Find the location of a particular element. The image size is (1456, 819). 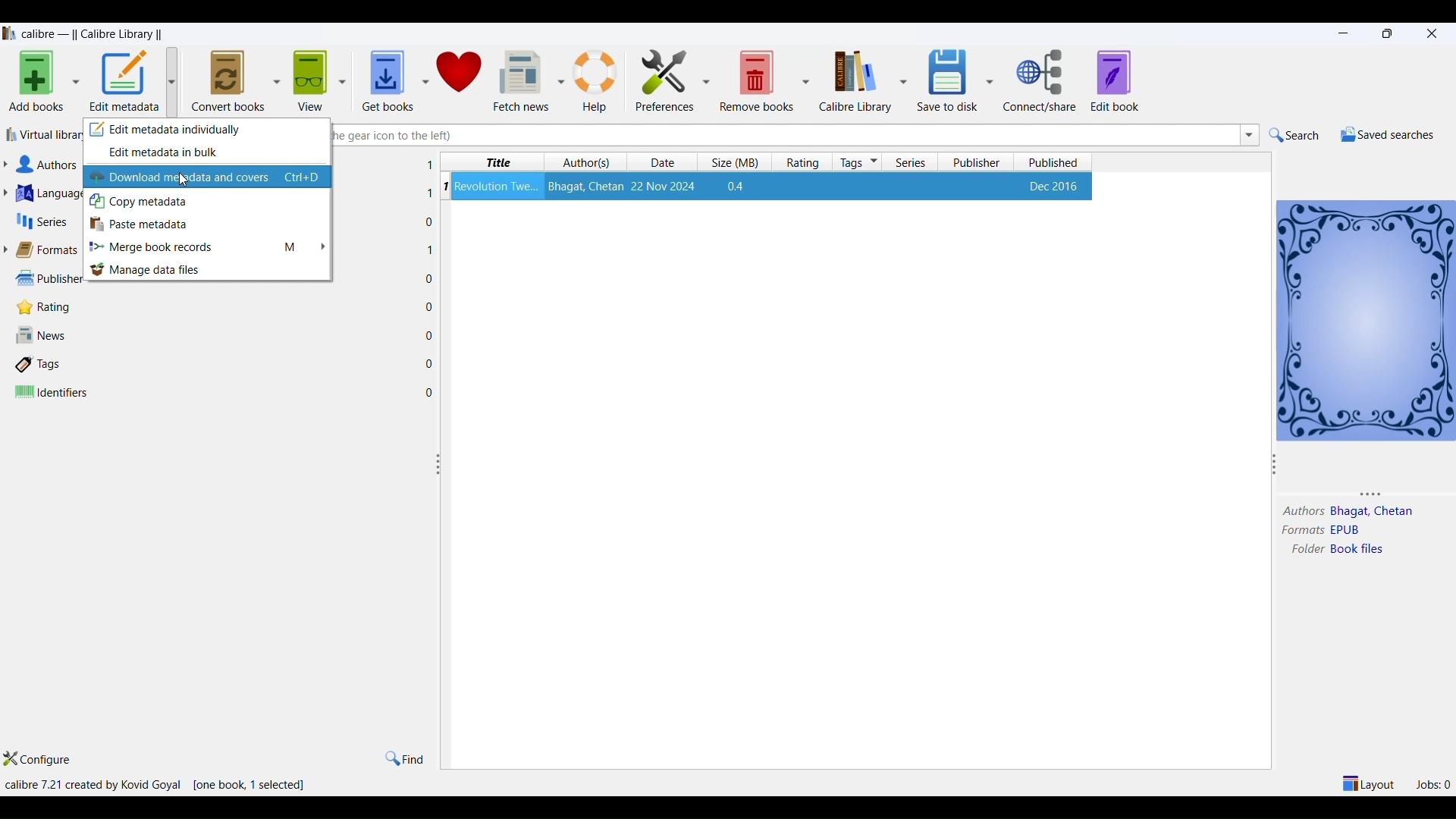

author is located at coordinates (1300, 510).